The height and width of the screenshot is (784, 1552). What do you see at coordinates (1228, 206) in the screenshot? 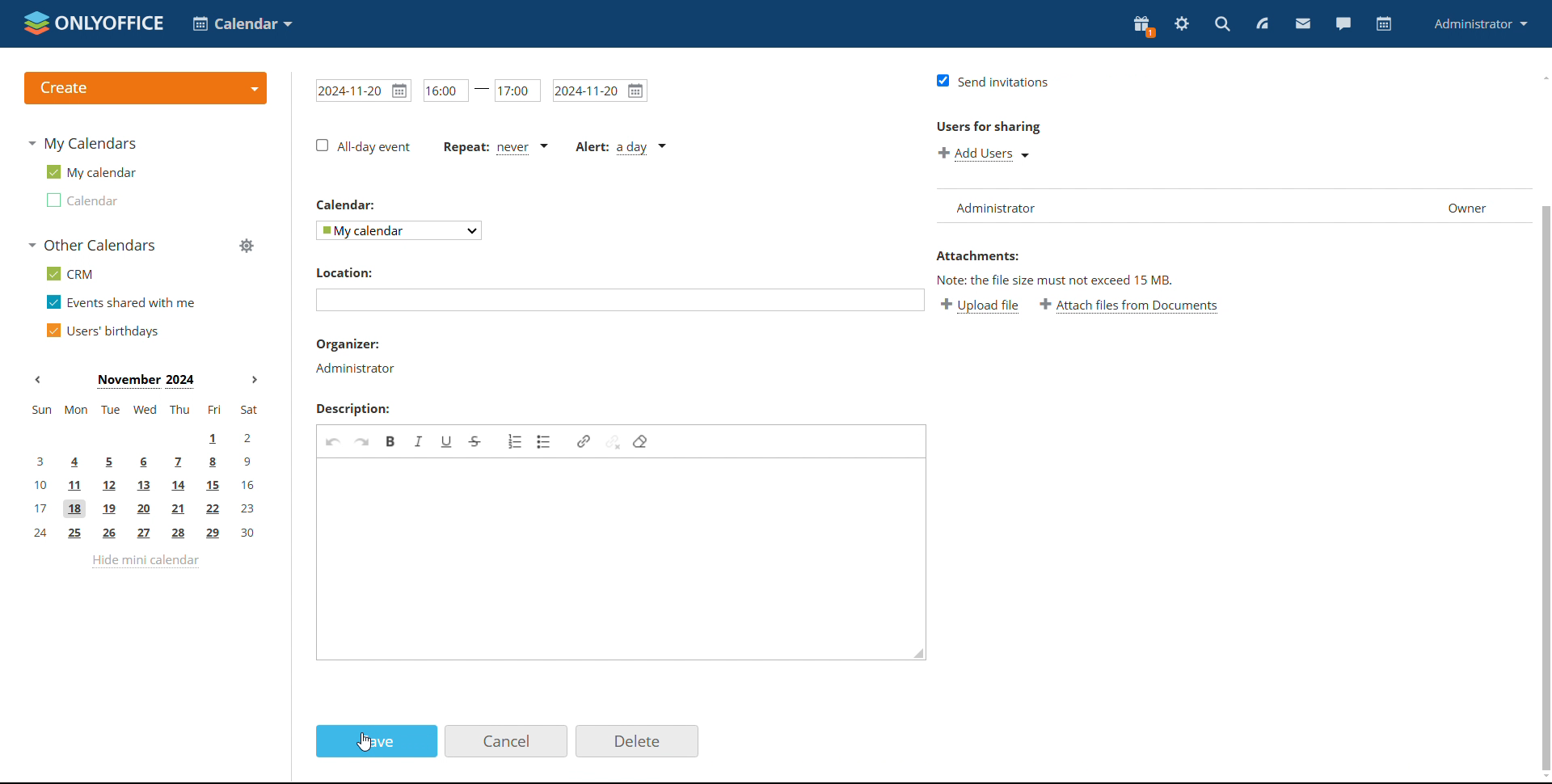
I see `list of users` at bounding box center [1228, 206].